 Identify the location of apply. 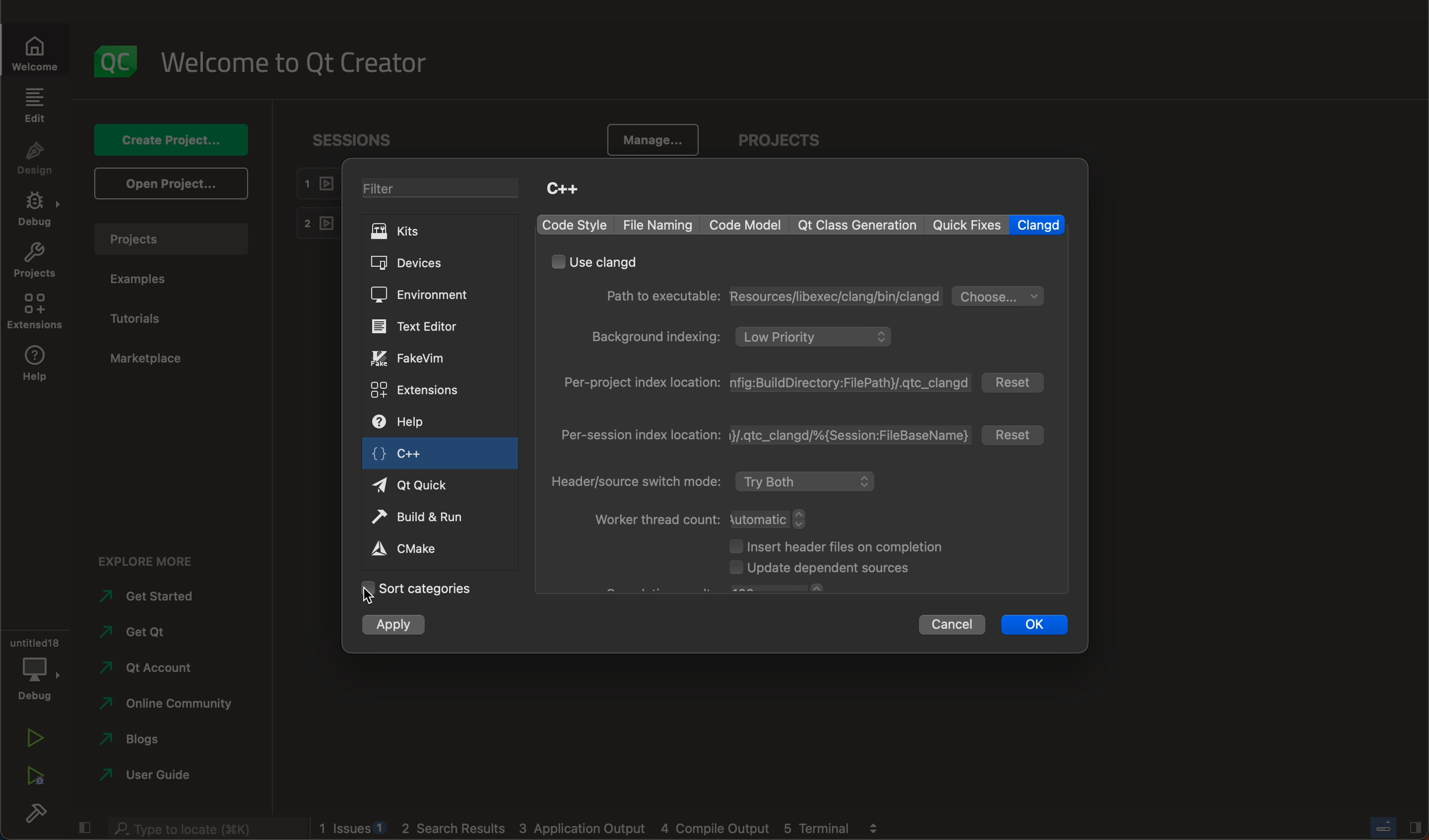
(404, 623).